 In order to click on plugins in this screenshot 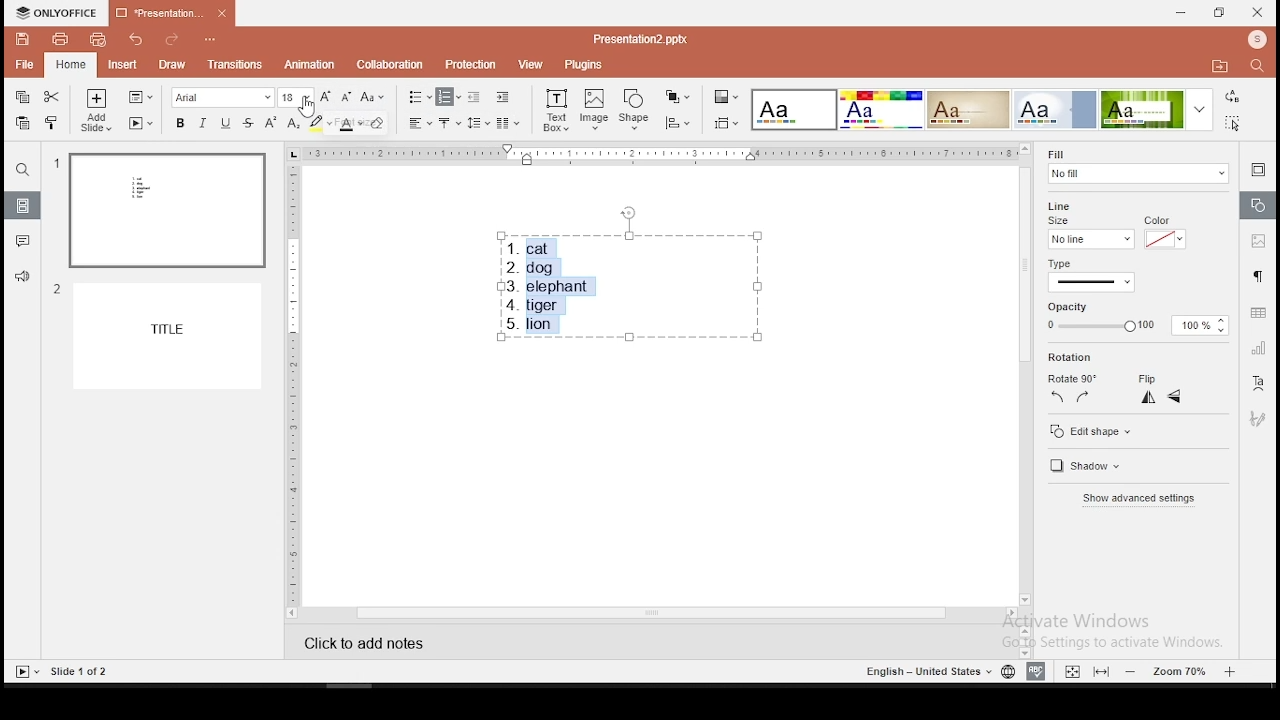, I will do `click(584, 65)`.